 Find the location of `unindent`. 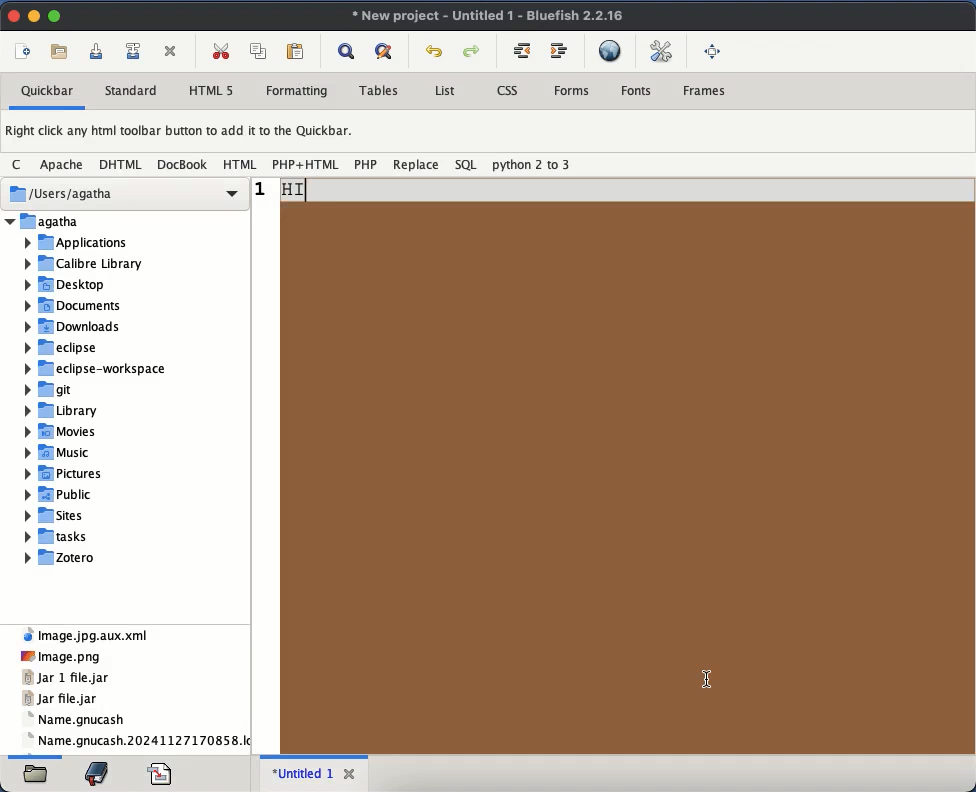

unindent is located at coordinates (522, 49).